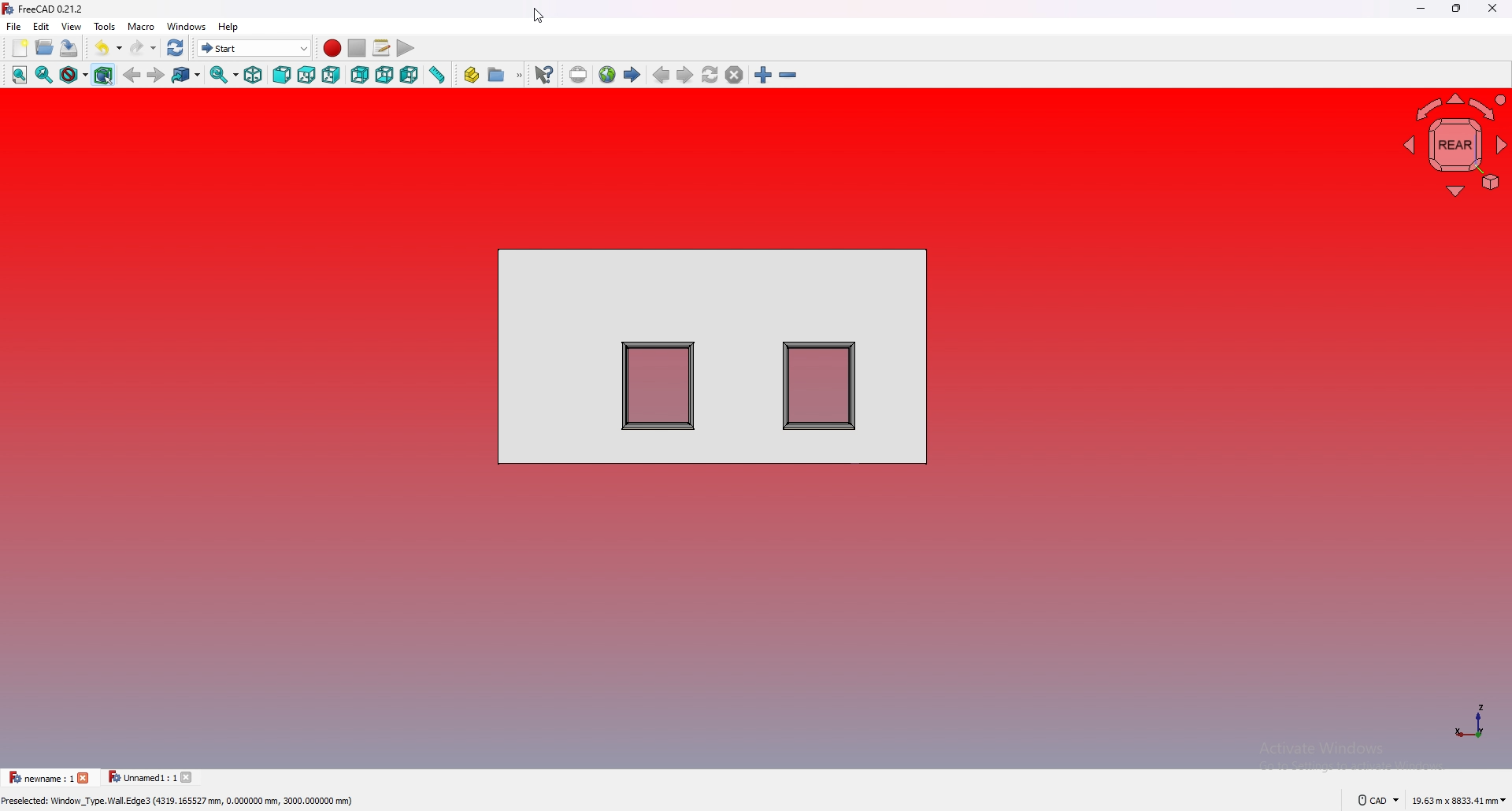  What do you see at coordinates (578, 75) in the screenshot?
I see `set url` at bounding box center [578, 75].